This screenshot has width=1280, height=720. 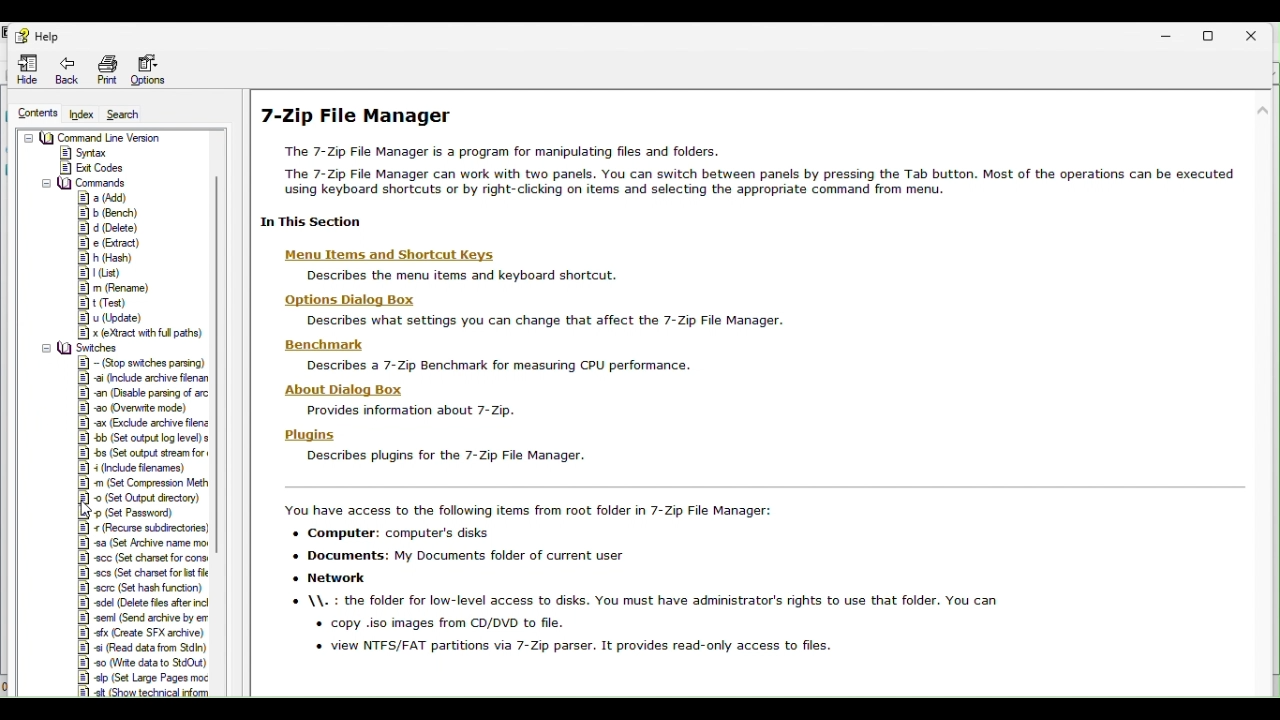 I want to click on Include archive, so click(x=140, y=380).